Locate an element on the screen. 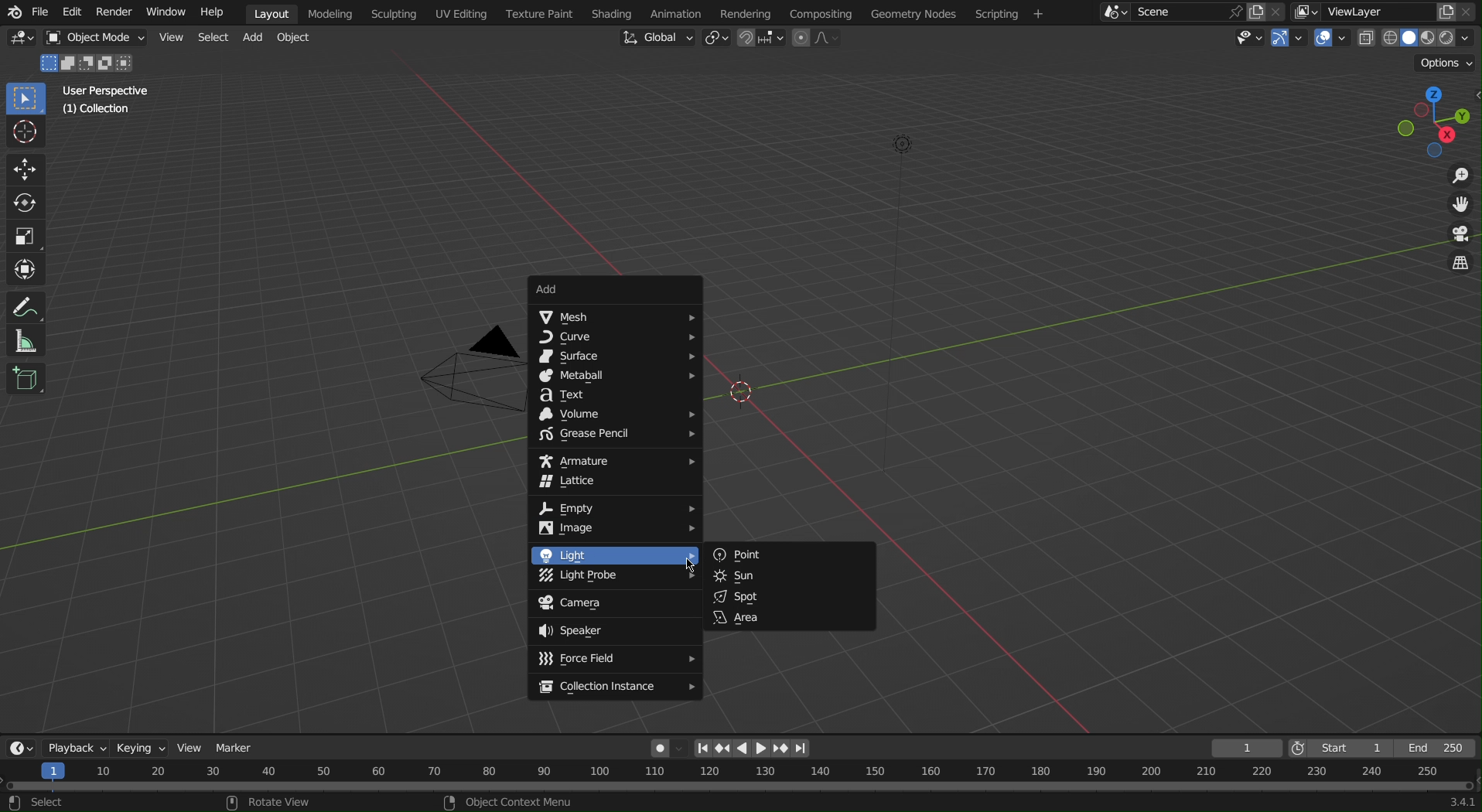 The image size is (1482, 812). 3:41 is located at coordinates (1460, 802).